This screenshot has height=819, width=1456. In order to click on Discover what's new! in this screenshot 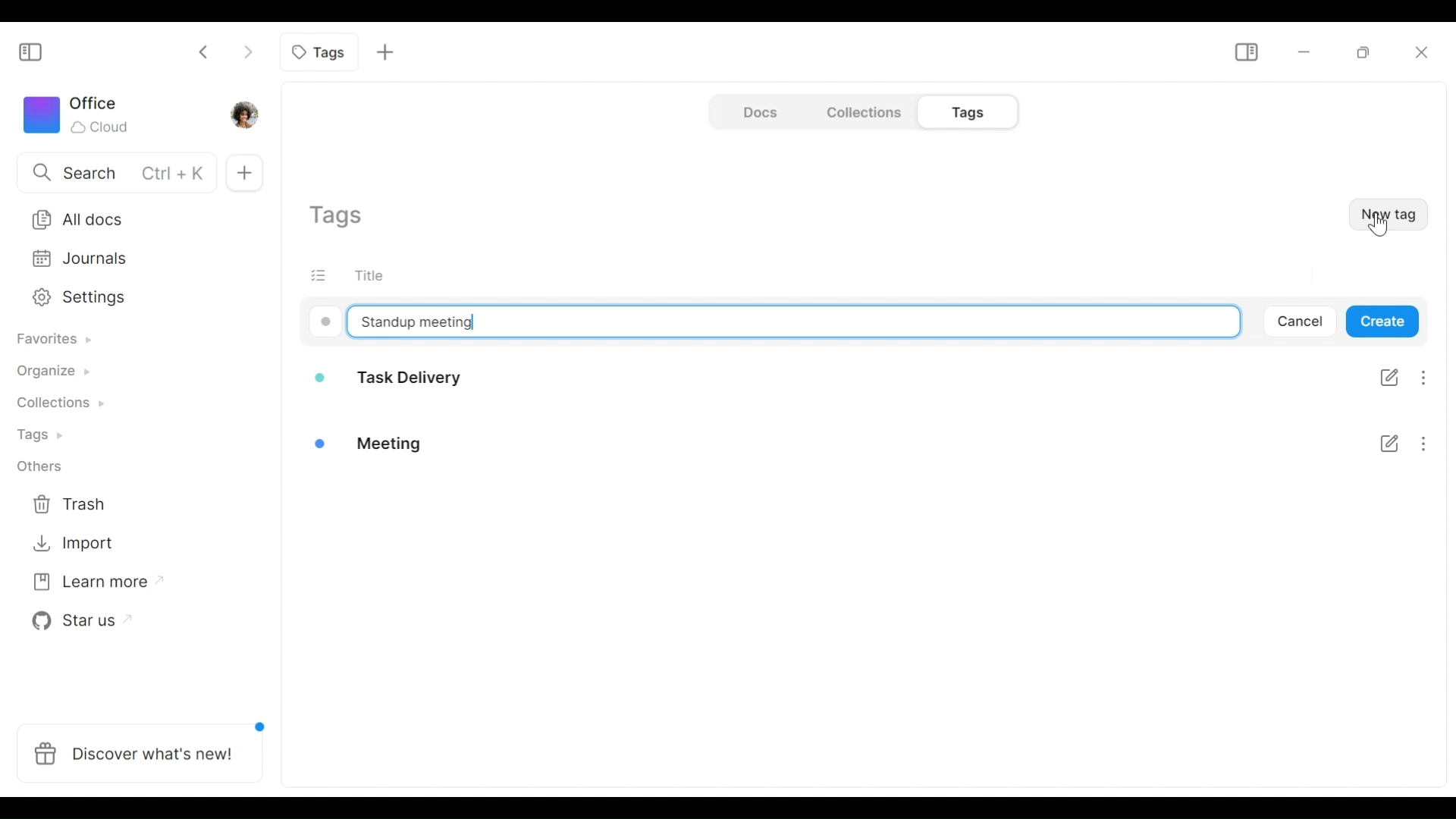, I will do `click(138, 757)`.